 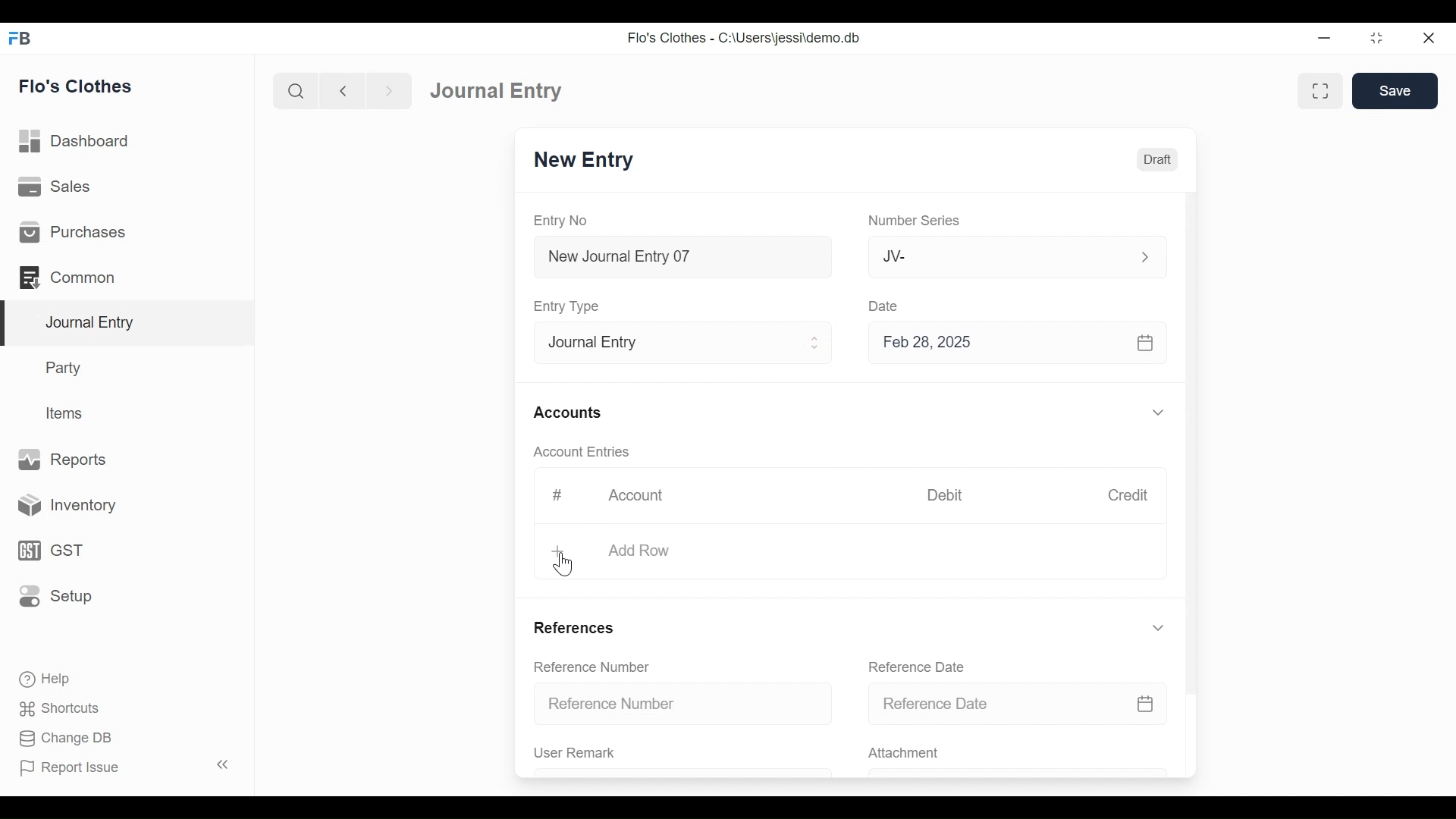 What do you see at coordinates (64, 458) in the screenshot?
I see `Reports` at bounding box center [64, 458].